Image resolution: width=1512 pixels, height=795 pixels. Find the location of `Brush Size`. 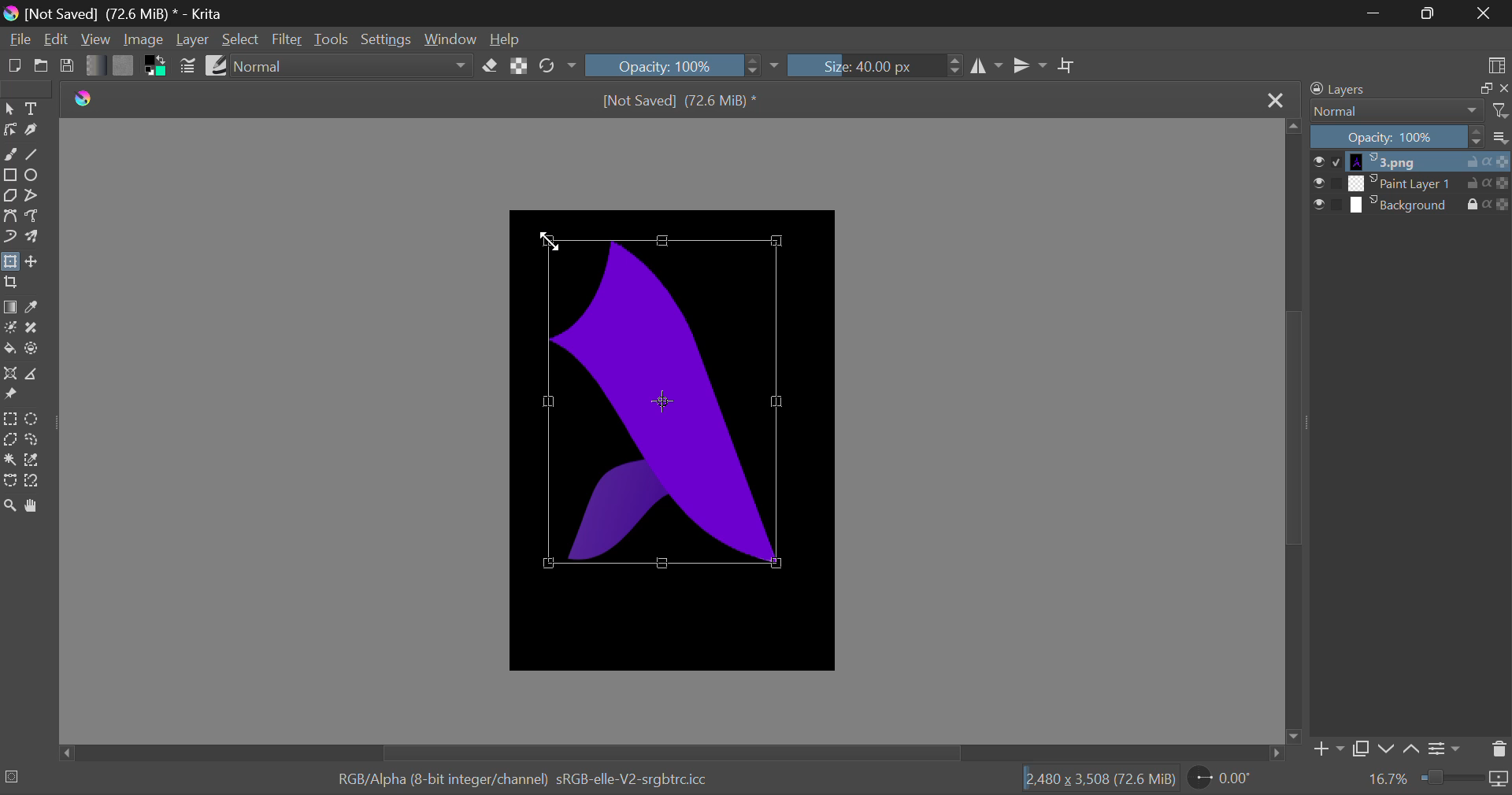

Brush Size is located at coordinates (875, 66).